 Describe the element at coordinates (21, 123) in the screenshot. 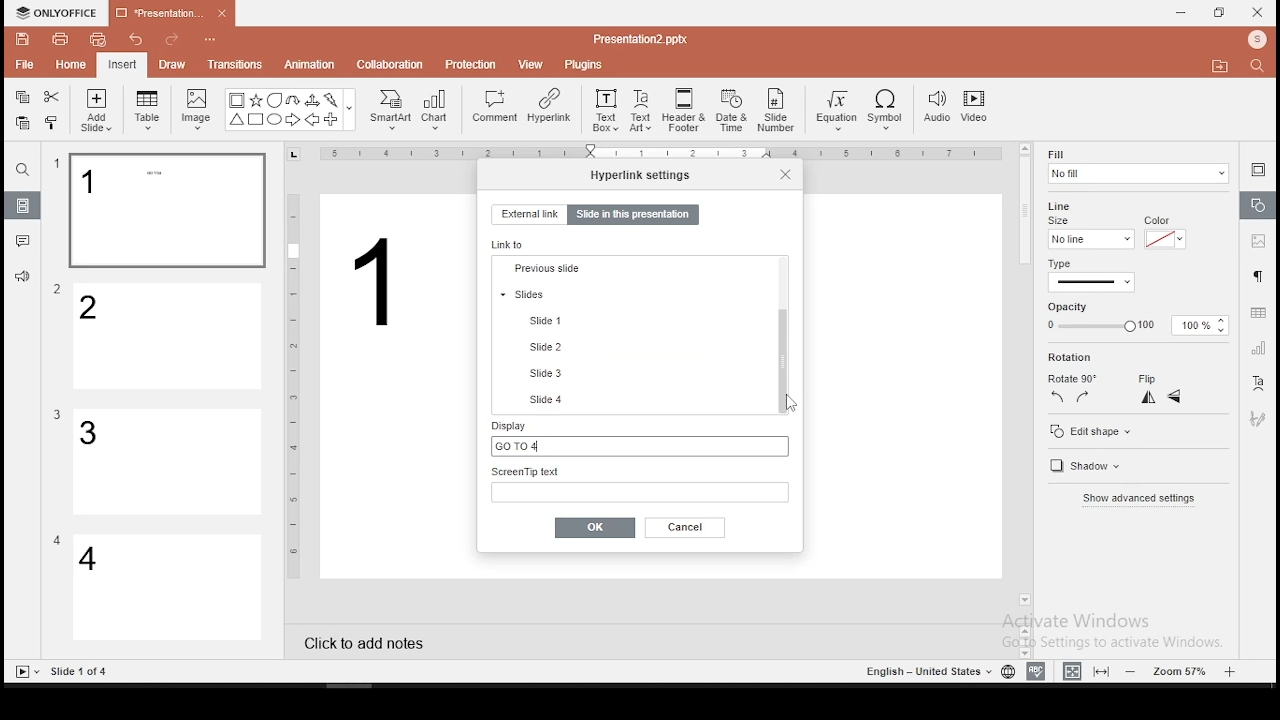

I see `paste` at that location.